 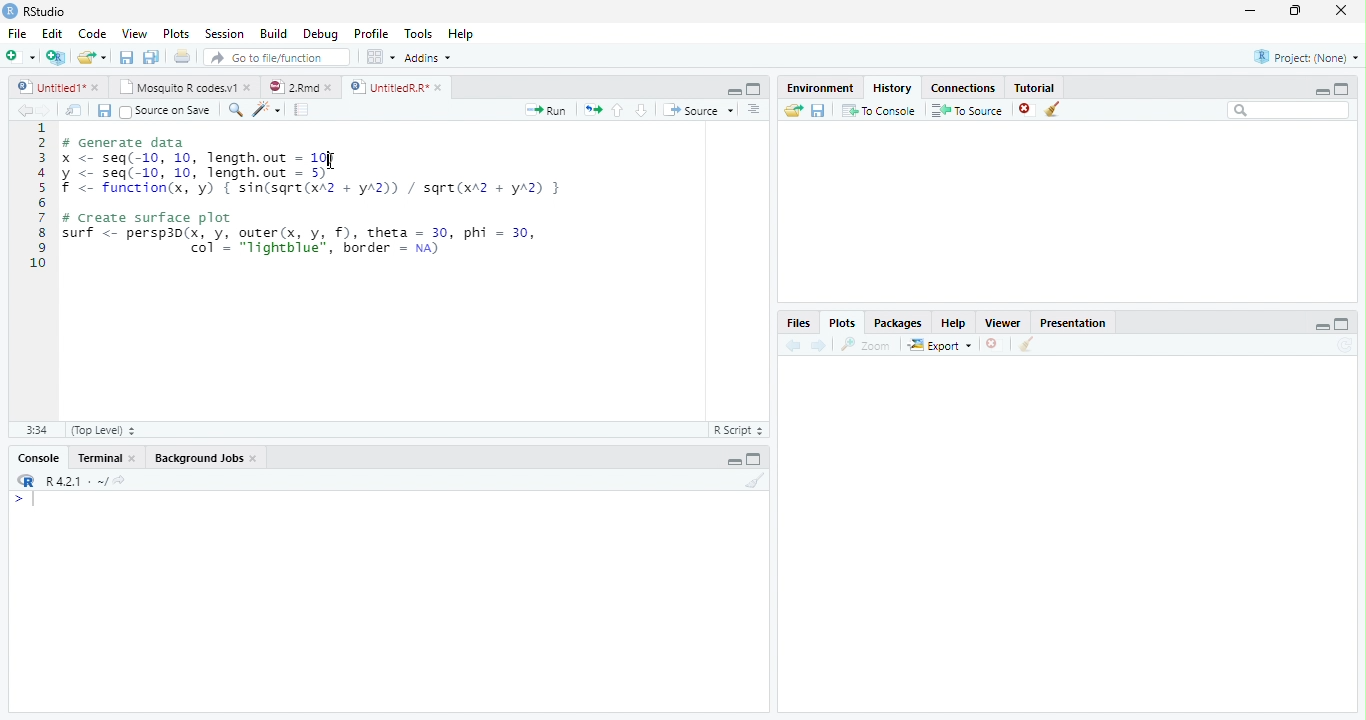 I want to click on Terminal, so click(x=99, y=458).